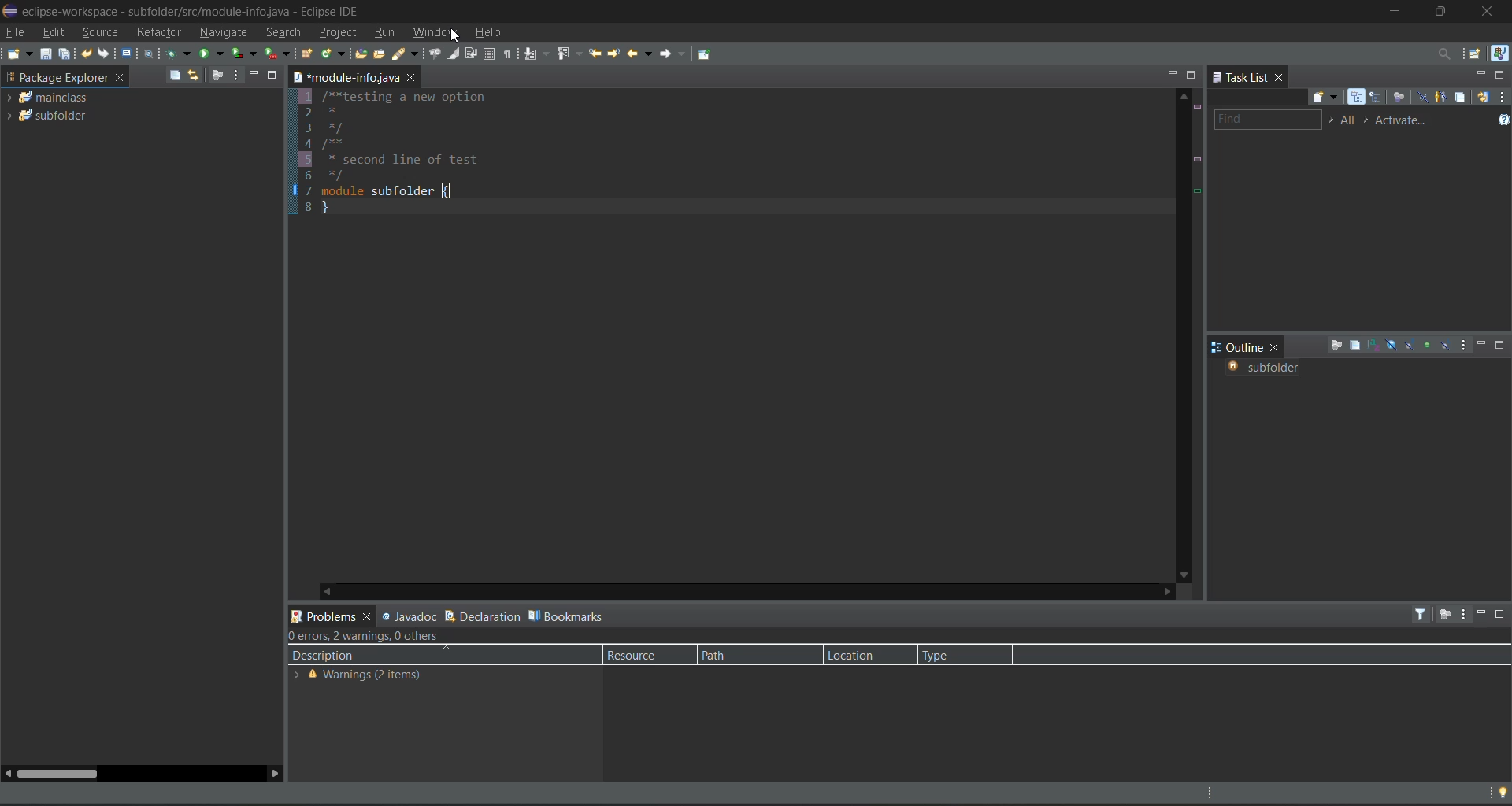 This screenshot has width=1512, height=806. What do you see at coordinates (494, 54) in the screenshot?
I see `toggle block selection` at bounding box center [494, 54].